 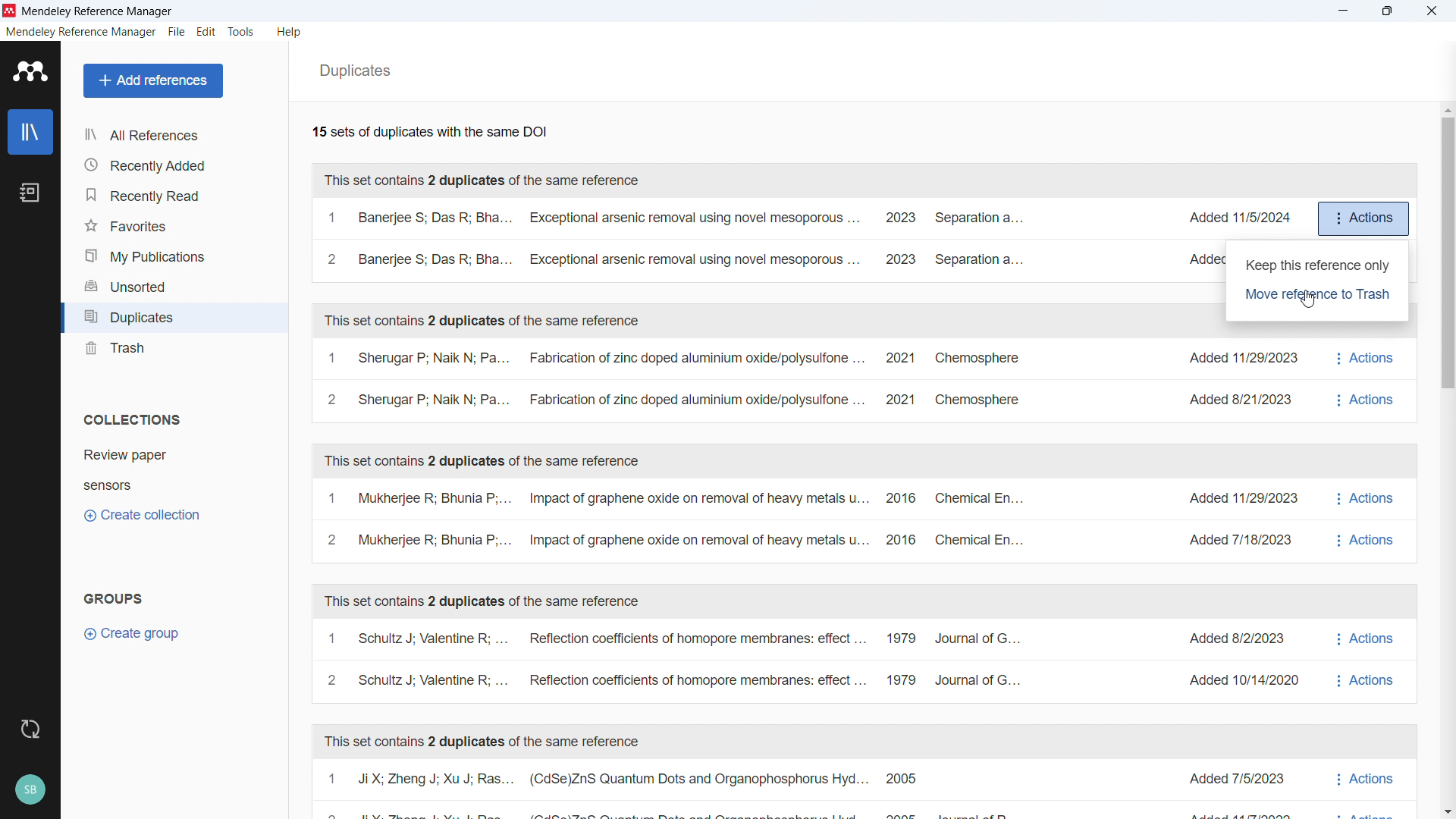 I want to click on Keep this reference only , so click(x=1316, y=265).